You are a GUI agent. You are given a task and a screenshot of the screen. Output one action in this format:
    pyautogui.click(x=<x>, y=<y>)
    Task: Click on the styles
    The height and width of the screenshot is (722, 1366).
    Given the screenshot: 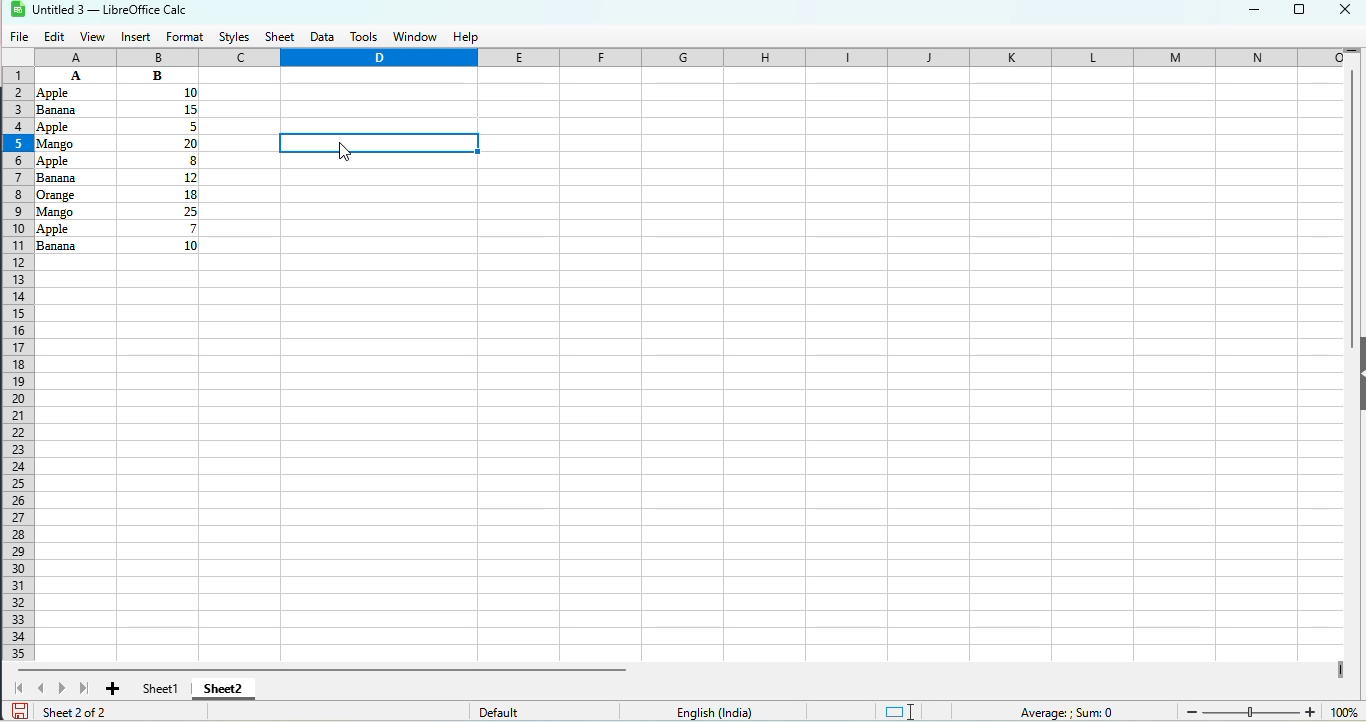 What is the action you would take?
    pyautogui.click(x=235, y=38)
    